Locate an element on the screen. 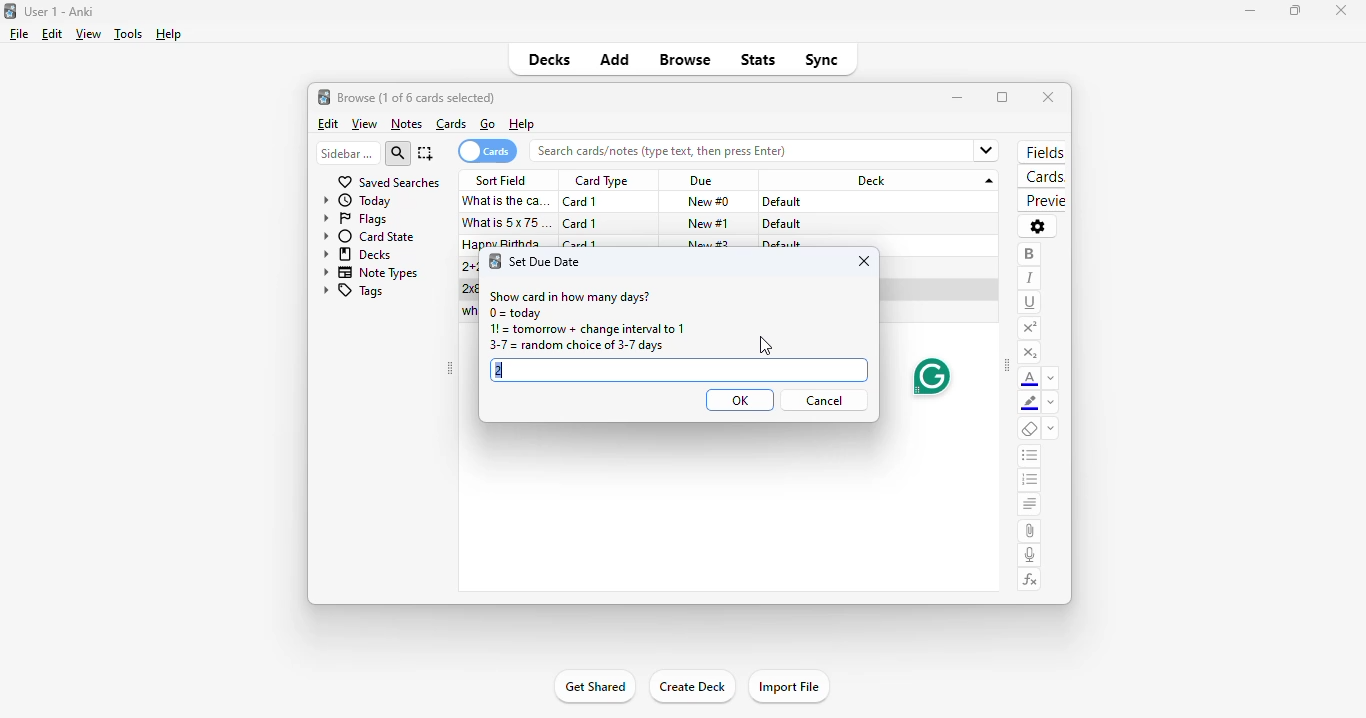 This screenshot has width=1366, height=718. logo is located at coordinates (493, 262).